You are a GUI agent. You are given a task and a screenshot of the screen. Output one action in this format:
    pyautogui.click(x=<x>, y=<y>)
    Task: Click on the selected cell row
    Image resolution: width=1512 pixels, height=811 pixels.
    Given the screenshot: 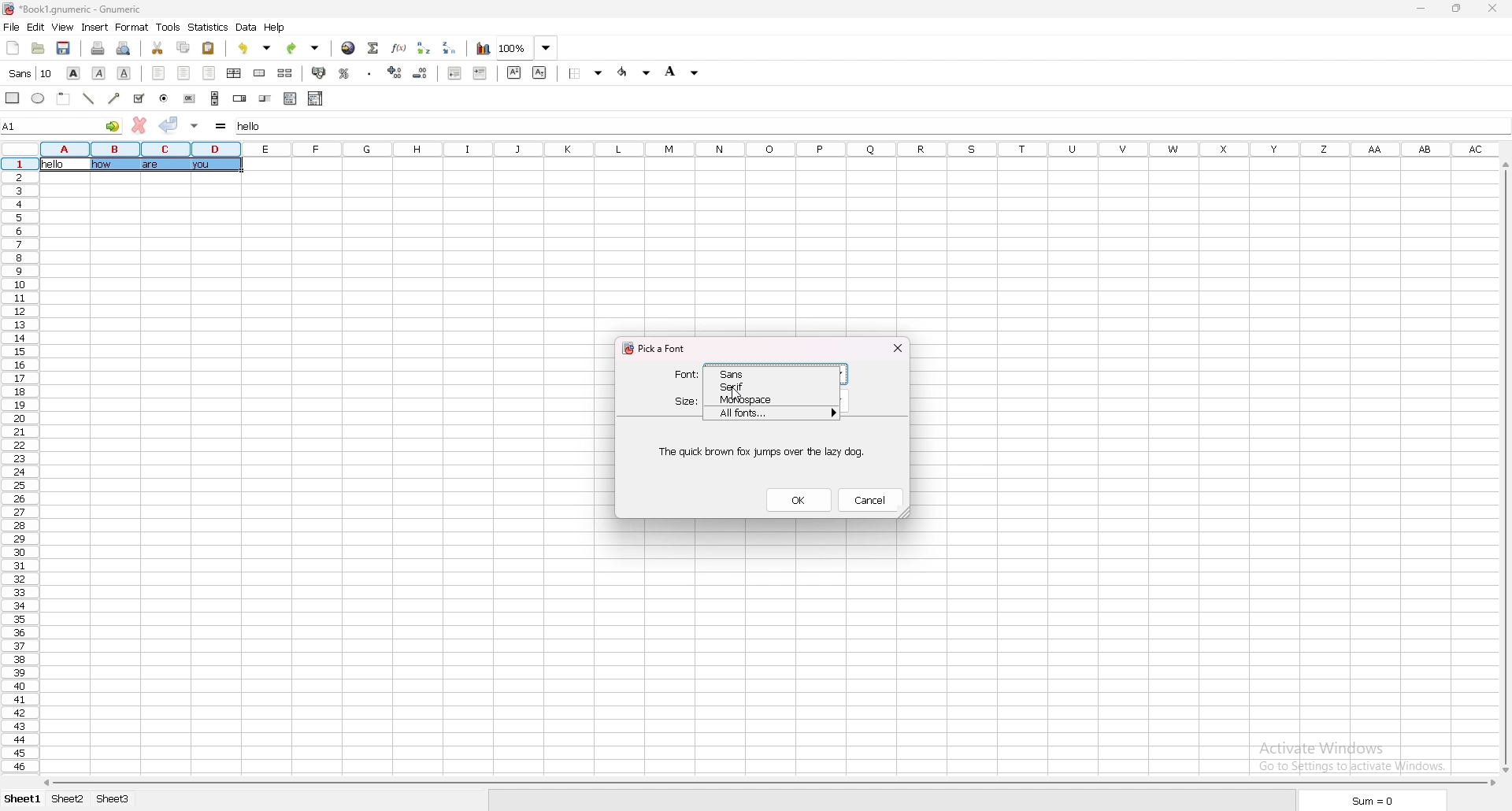 What is the action you would take?
    pyautogui.click(x=19, y=164)
    